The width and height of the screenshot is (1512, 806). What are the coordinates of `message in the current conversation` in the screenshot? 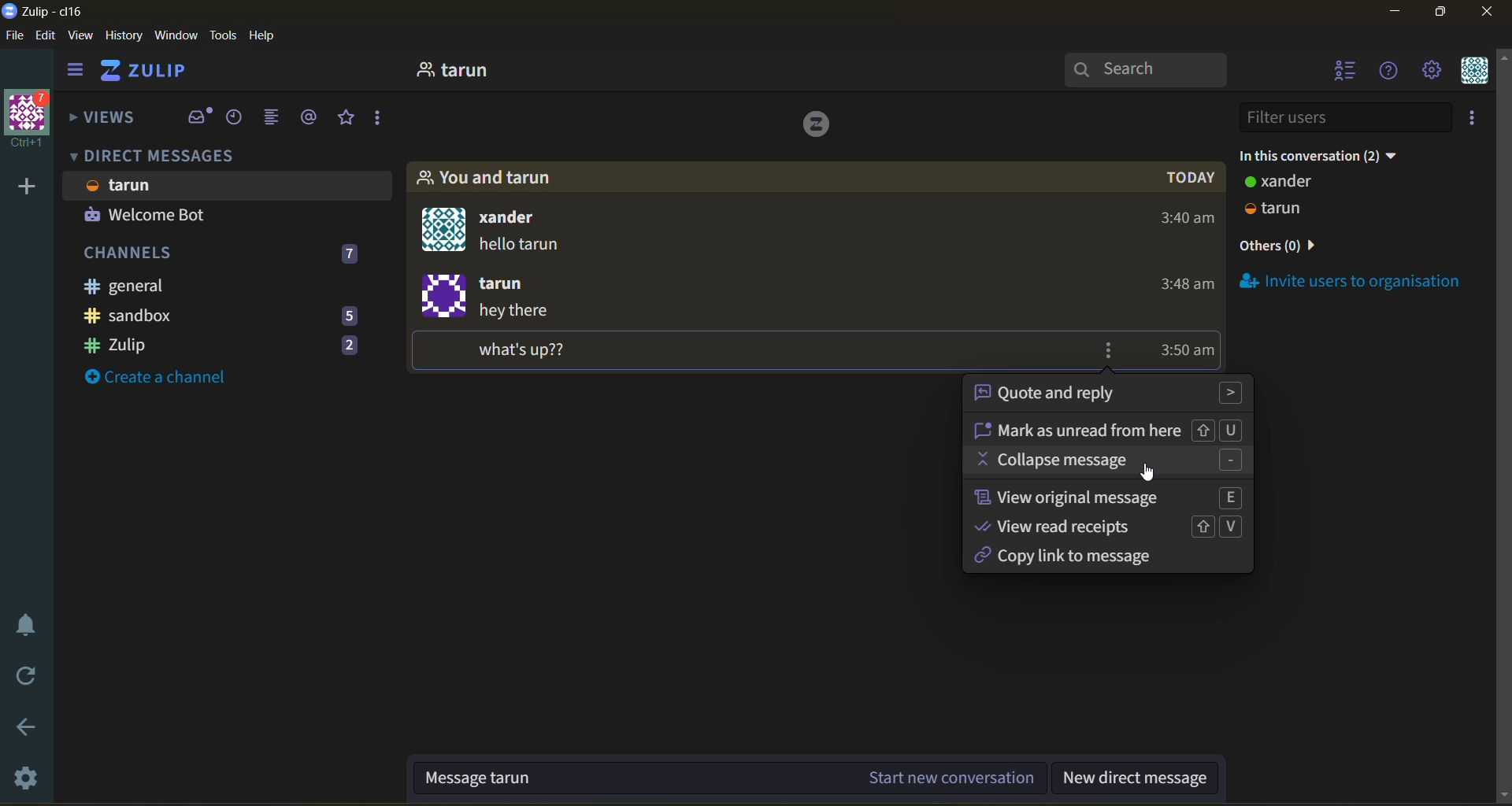 It's located at (728, 780).